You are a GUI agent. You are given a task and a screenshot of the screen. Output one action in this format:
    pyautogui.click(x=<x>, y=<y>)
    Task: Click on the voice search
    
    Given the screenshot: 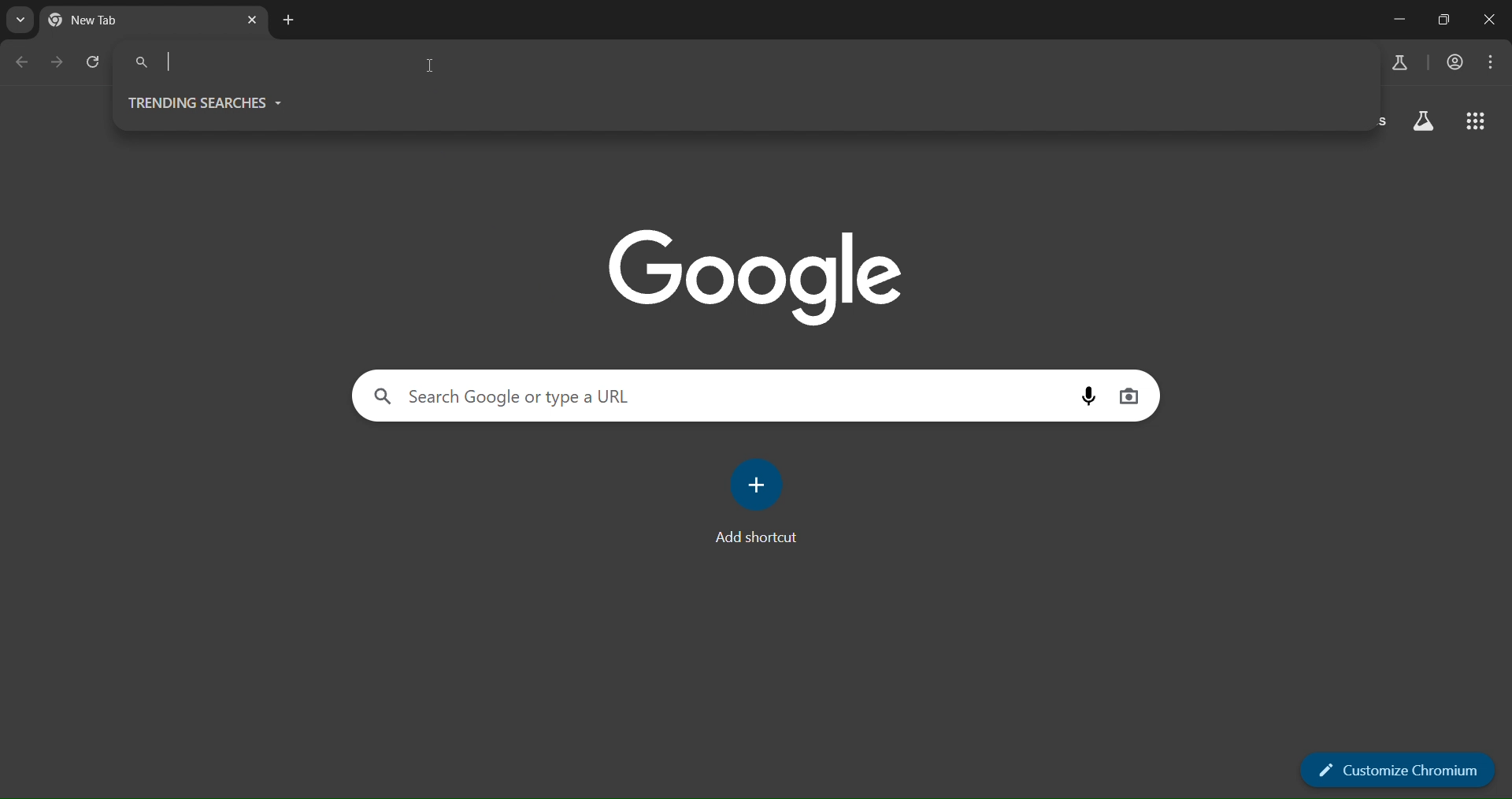 What is the action you would take?
    pyautogui.click(x=1088, y=396)
    